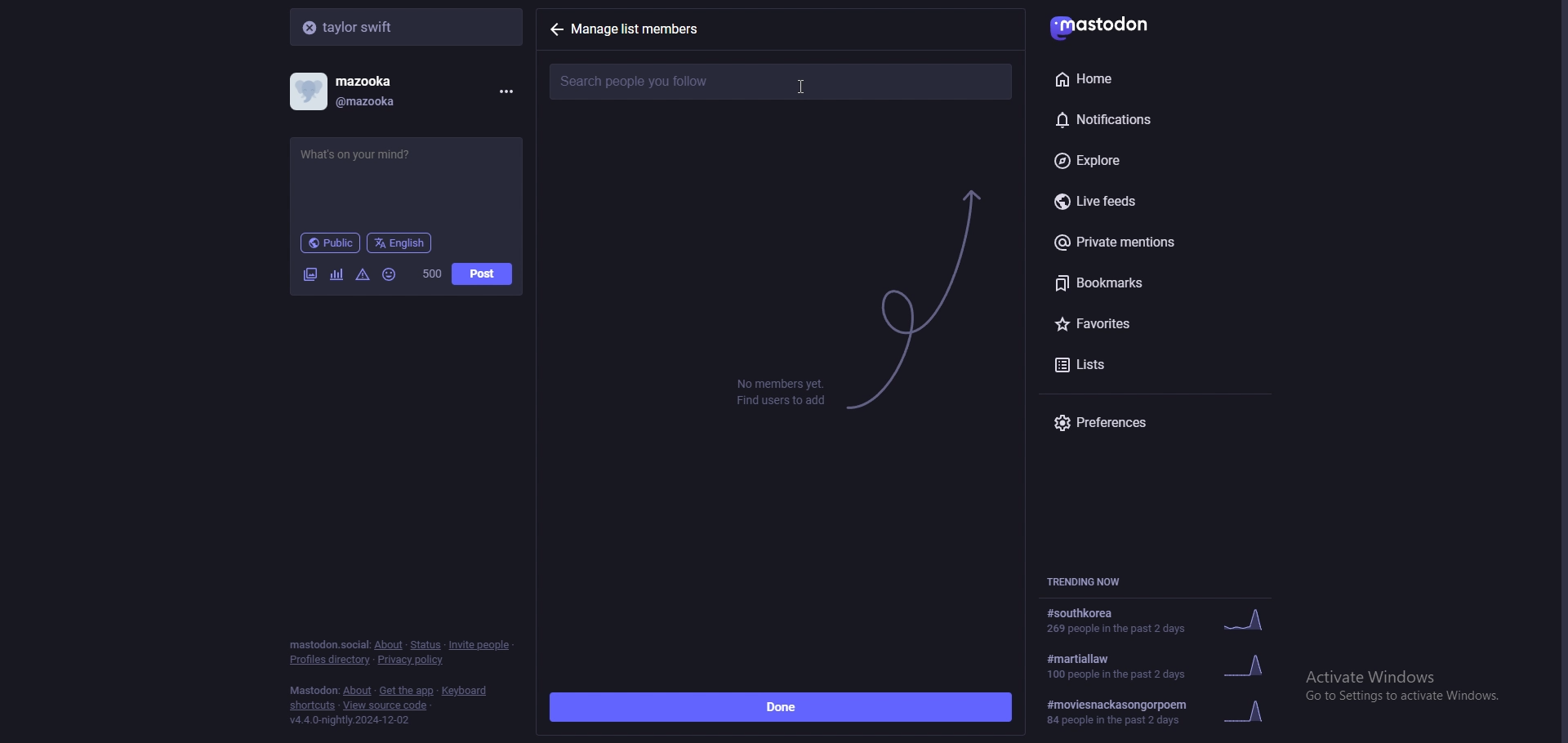 The height and width of the screenshot is (743, 1568). Describe the element at coordinates (1160, 202) in the screenshot. I see `live feeds` at that location.